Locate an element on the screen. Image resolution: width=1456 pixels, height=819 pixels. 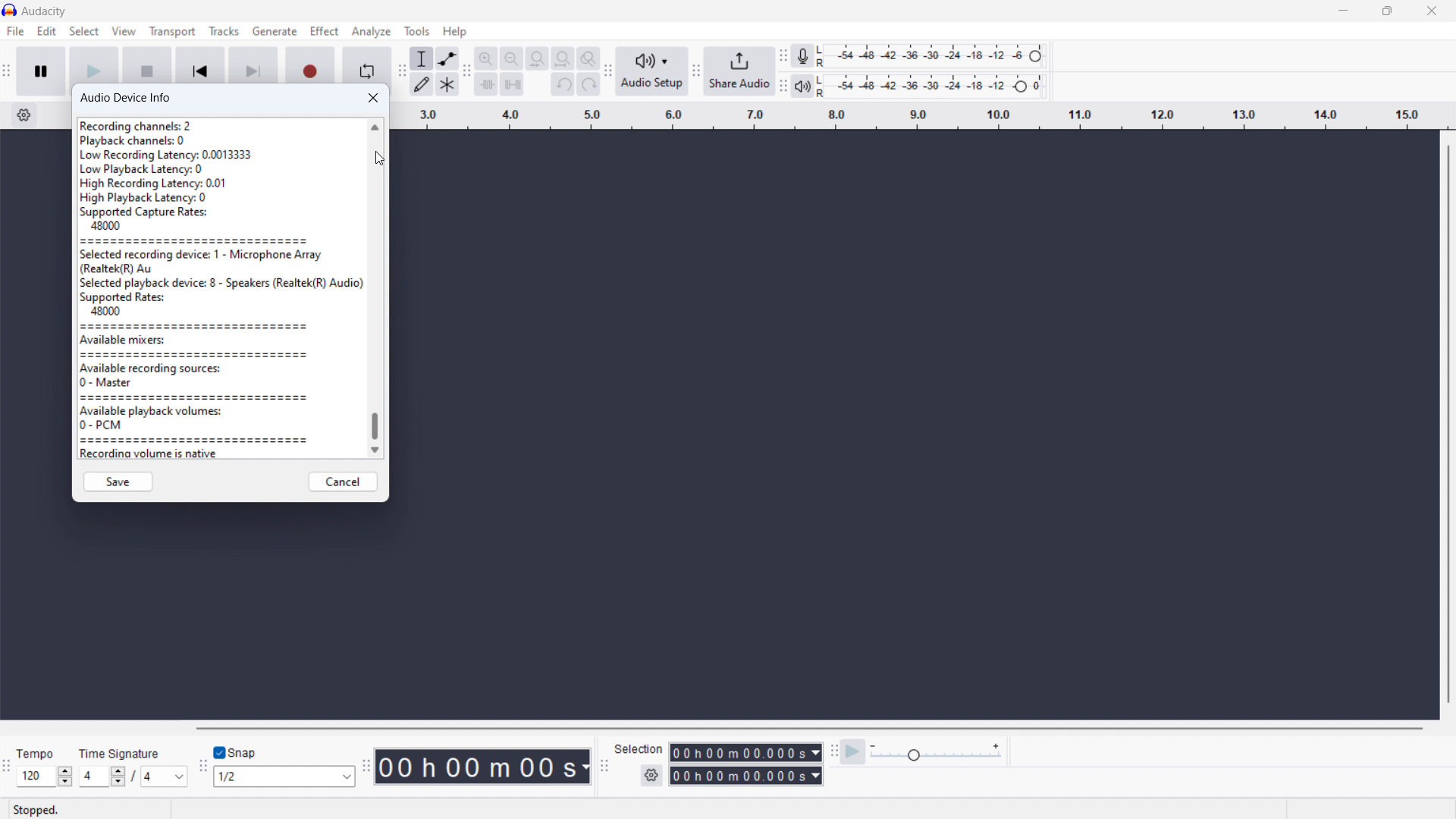
edit toolbar is located at coordinates (467, 71).